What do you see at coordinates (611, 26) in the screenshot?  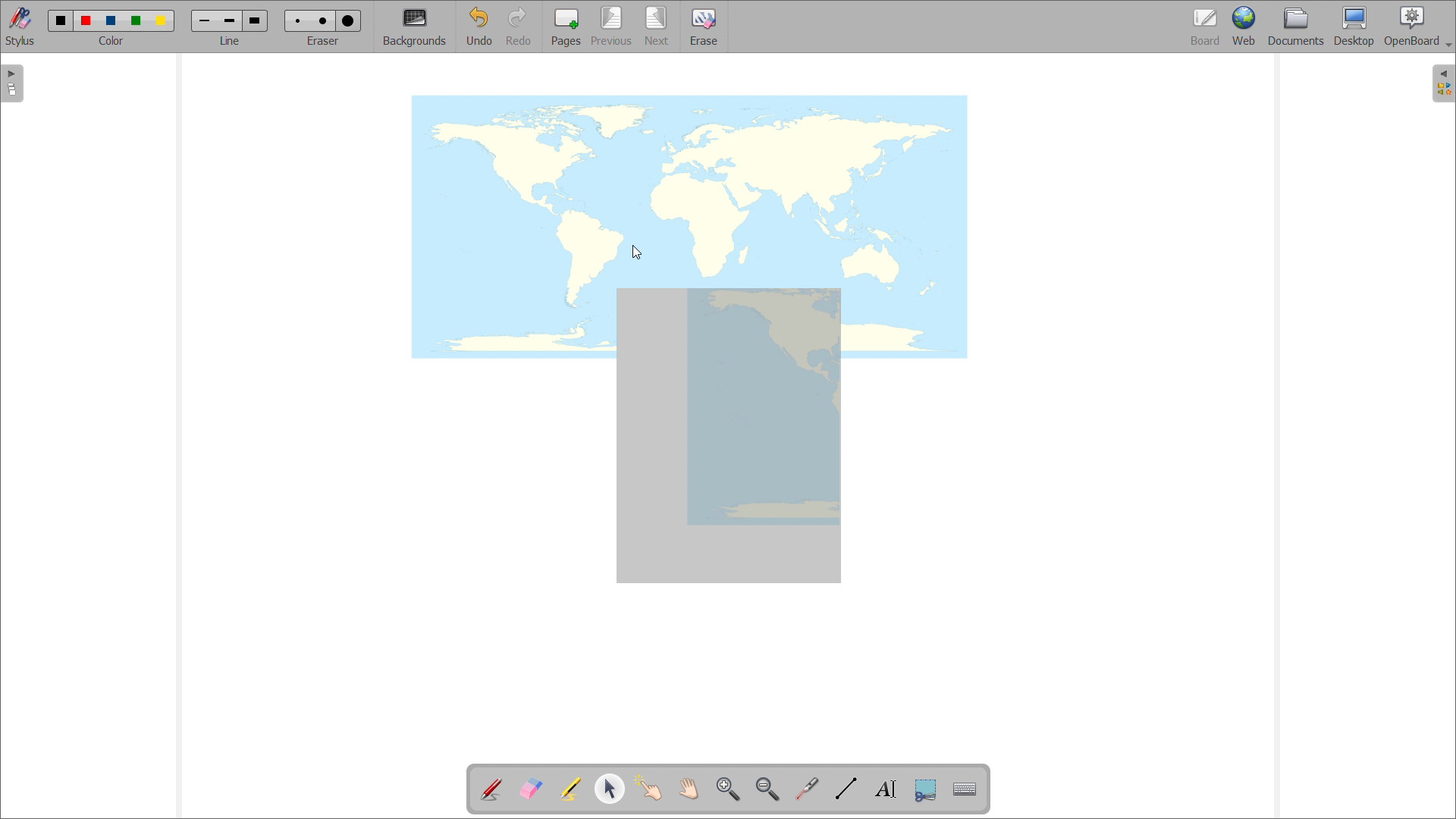 I see `previous page` at bounding box center [611, 26].